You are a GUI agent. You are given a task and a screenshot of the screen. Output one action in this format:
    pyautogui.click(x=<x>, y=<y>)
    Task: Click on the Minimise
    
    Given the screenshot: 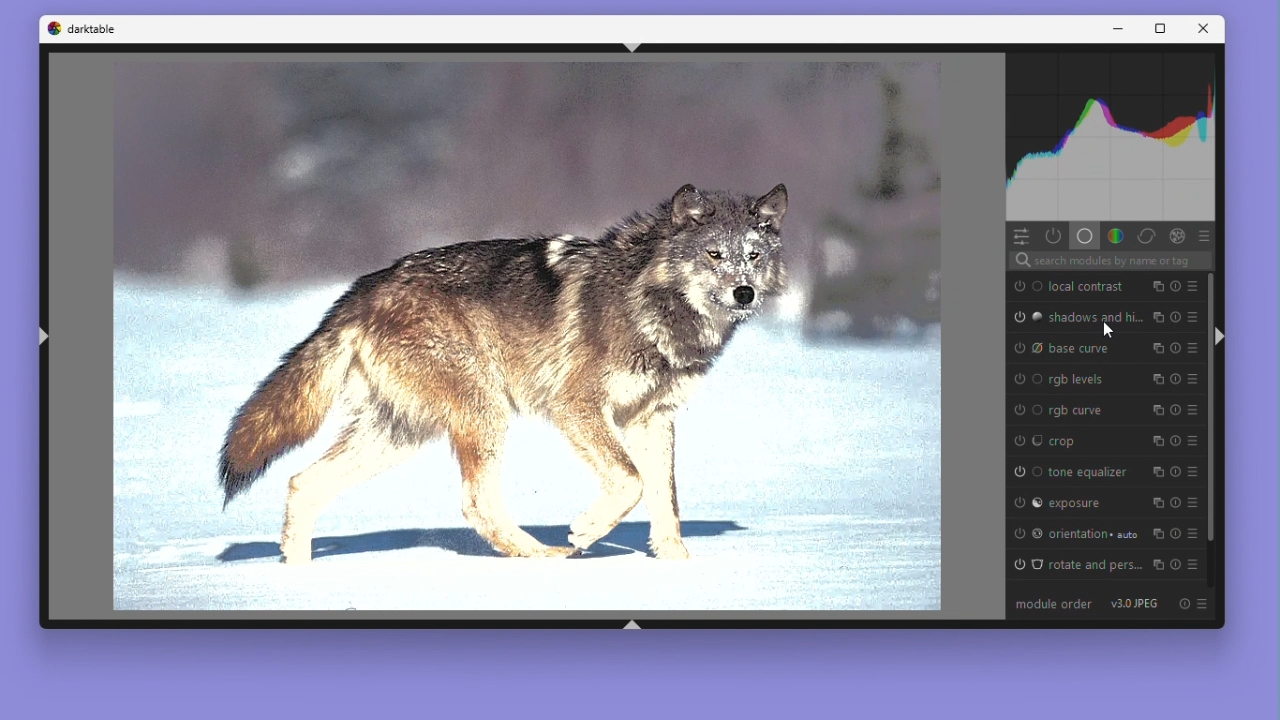 What is the action you would take?
    pyautogui.click(x=1125, y=30)
    